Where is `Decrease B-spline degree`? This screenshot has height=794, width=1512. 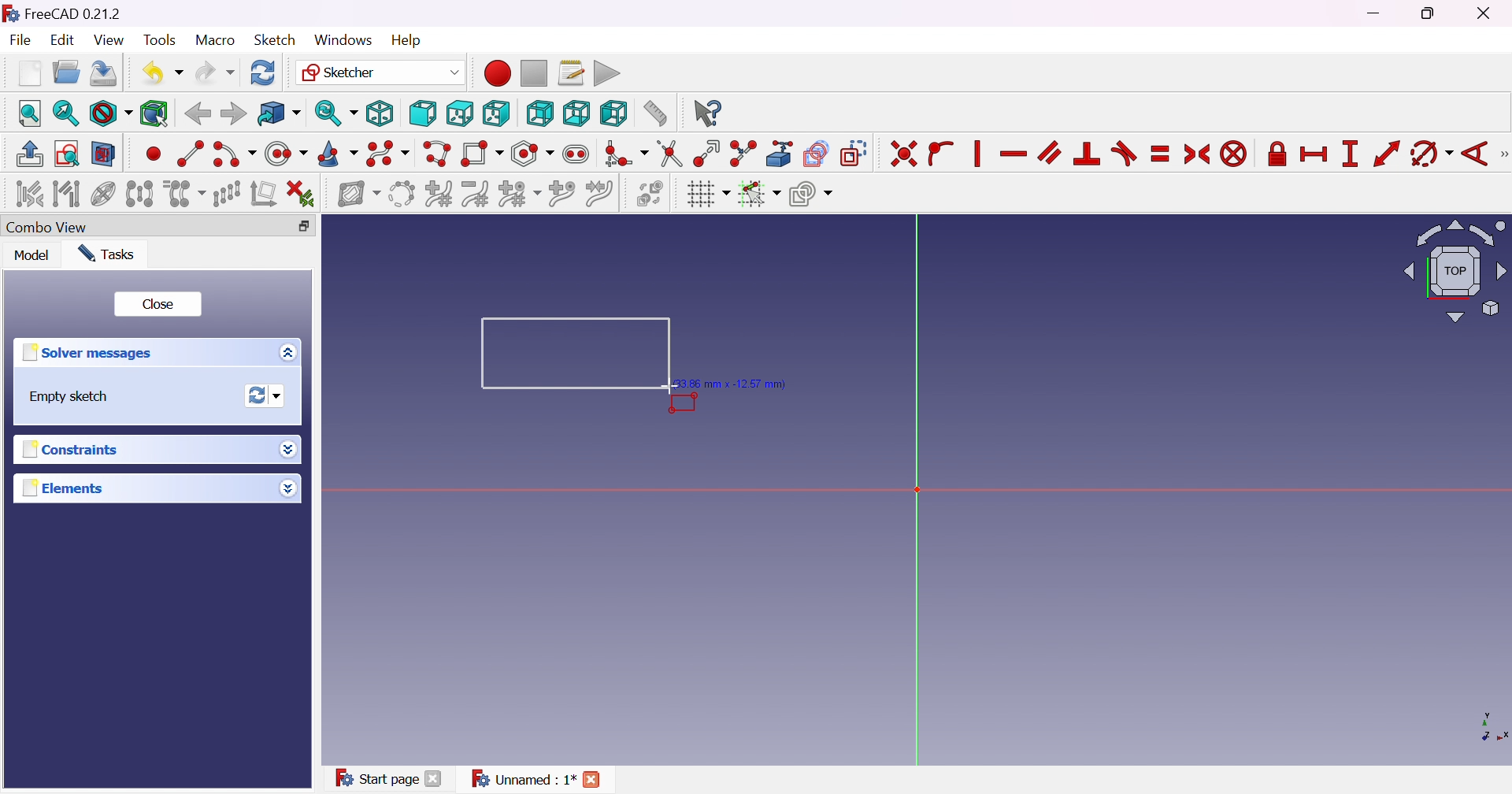 Decrease B-spline degree is located at coordinates (477, 194).